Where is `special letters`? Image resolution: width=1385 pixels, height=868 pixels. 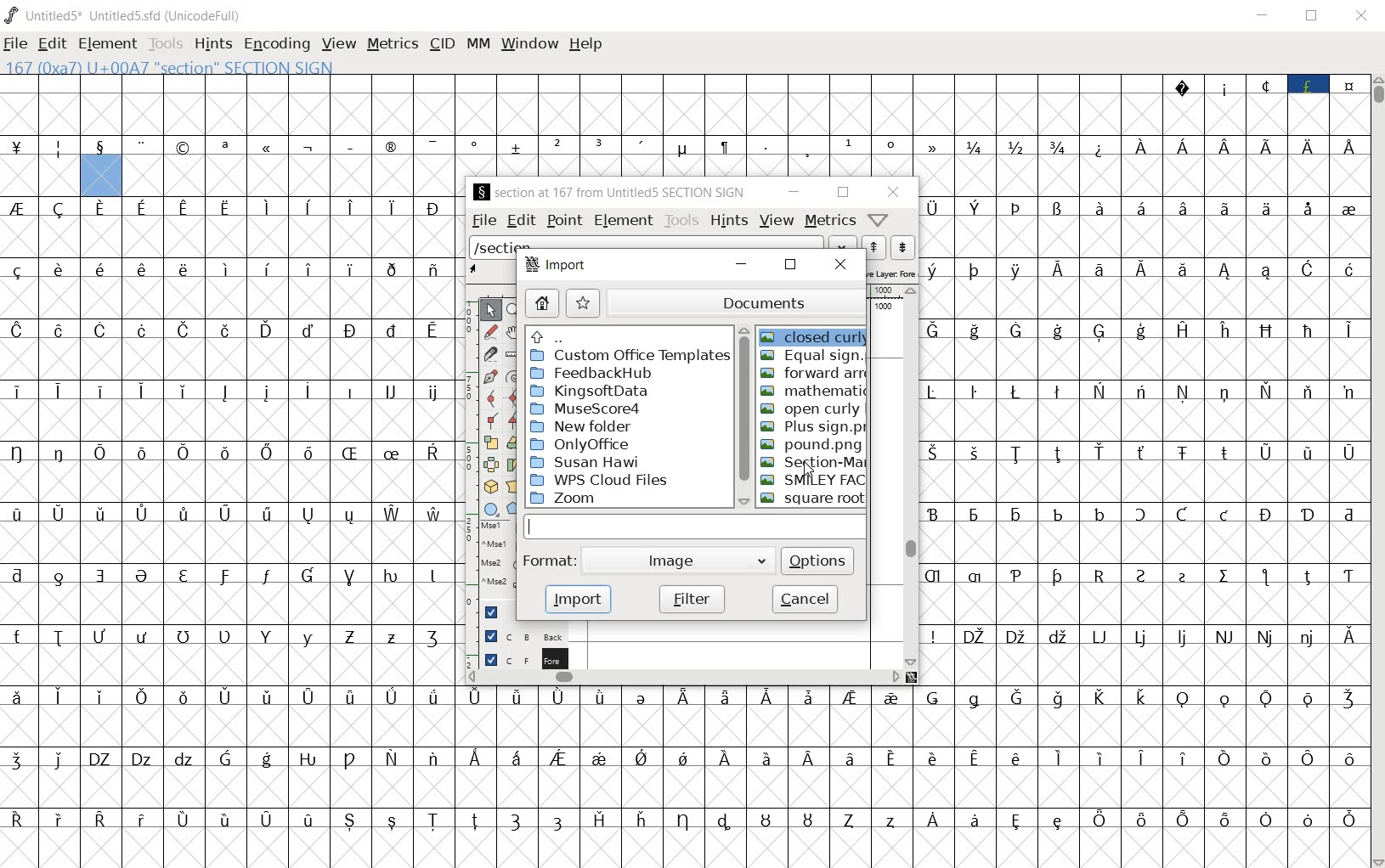 special letters is located at coordinates (231, 573).